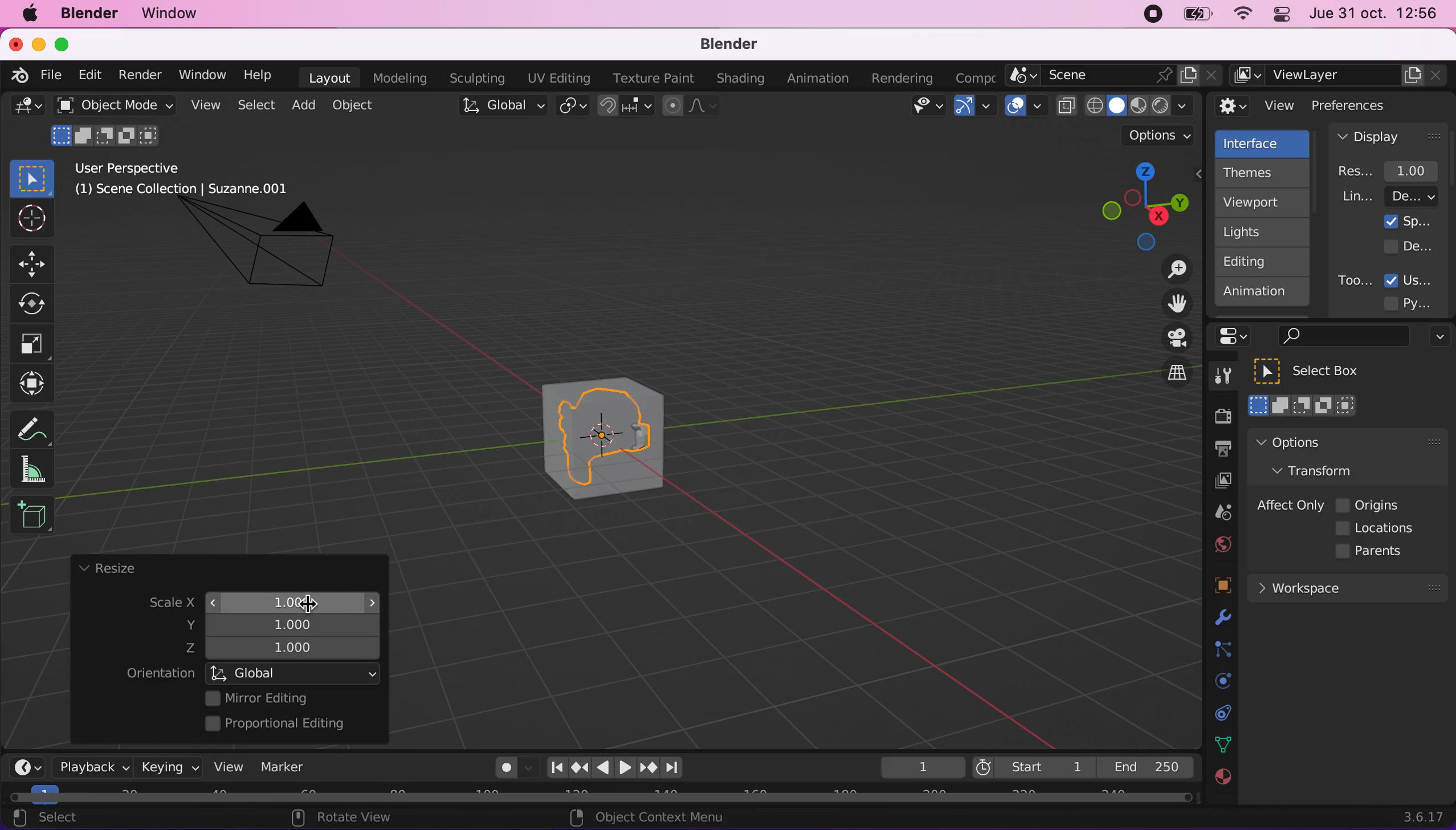 This screenshot has height=830, width=1456. What do you see at coordinates (1374, 14) in the screenshot?
I see `jue 31 oct. 12:56` at bounding box center [1374, 14].